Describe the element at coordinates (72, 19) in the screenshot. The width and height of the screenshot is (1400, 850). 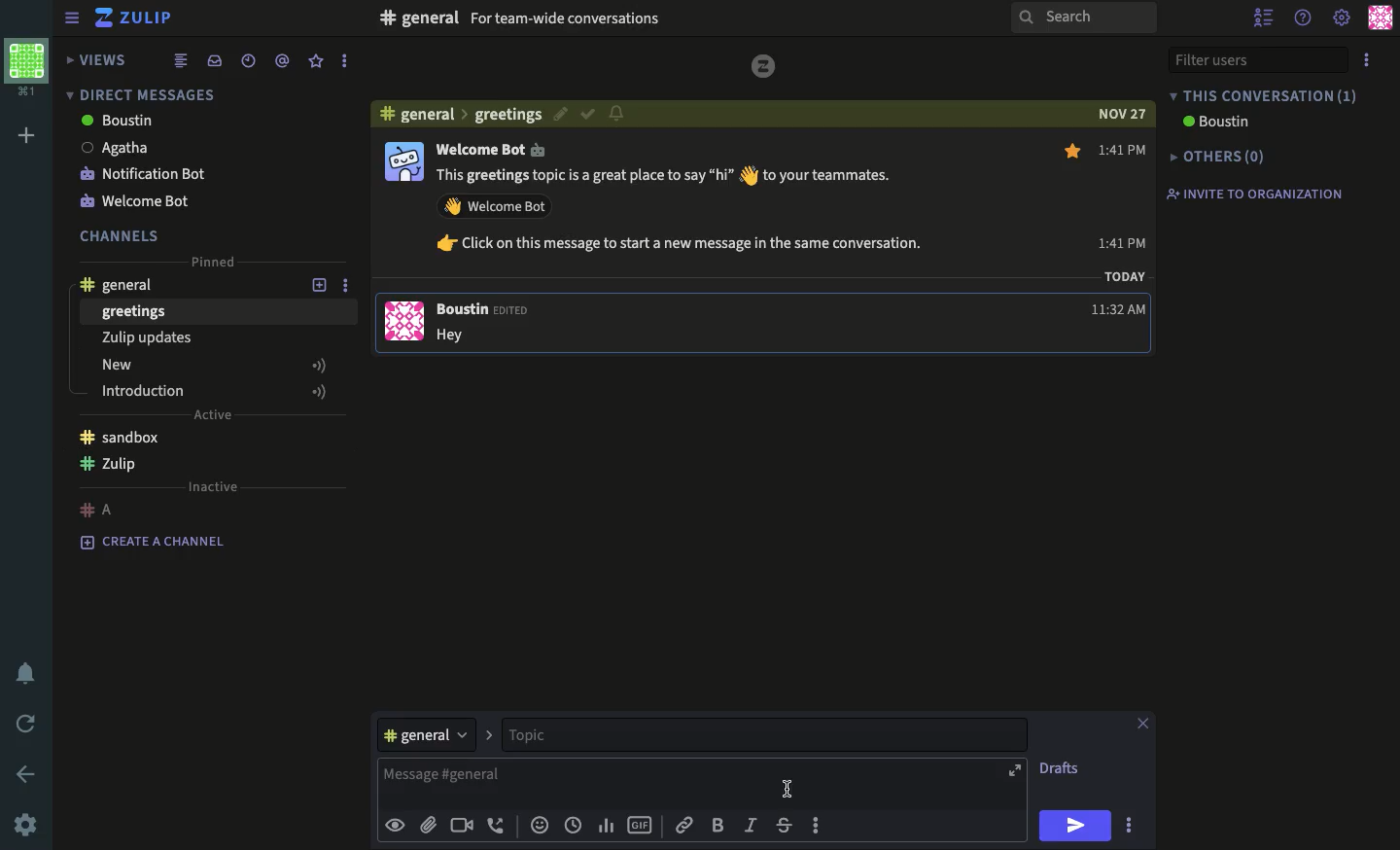
I see `collapse/expand` at that location.